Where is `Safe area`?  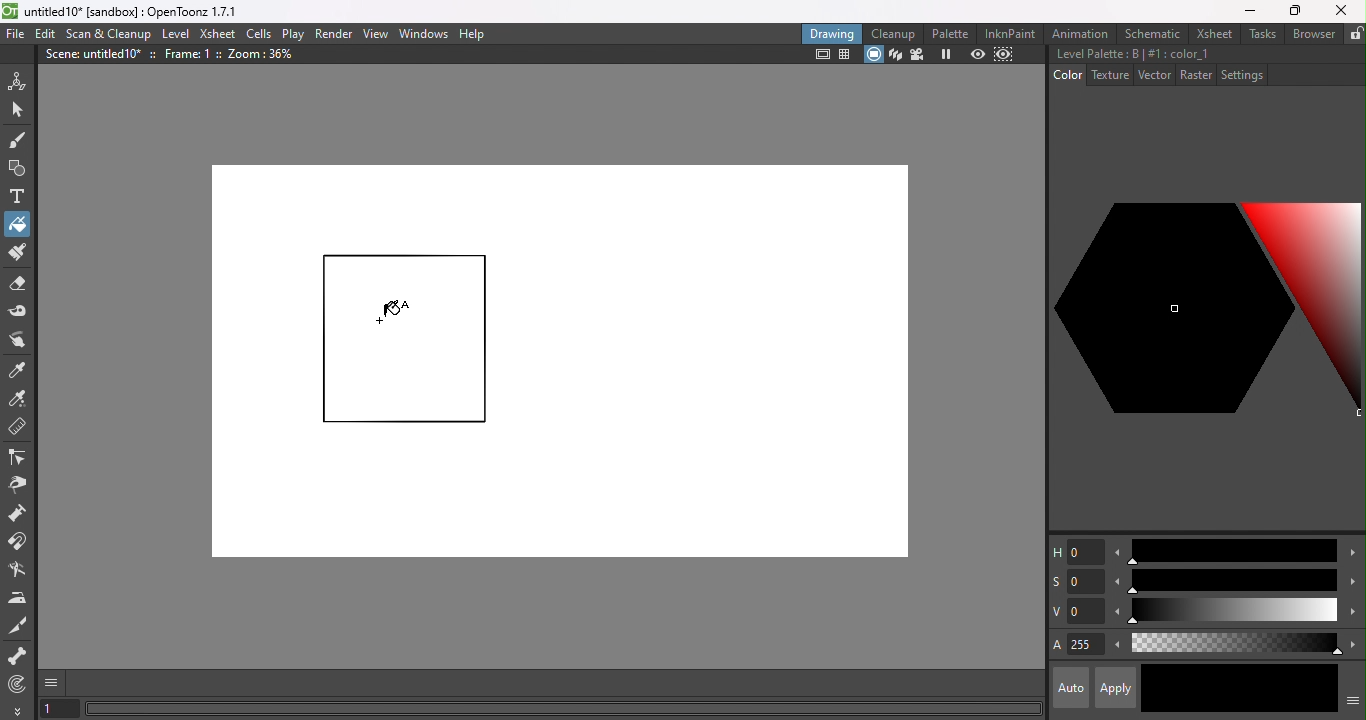
Safe area is located at coordinates (820, 55).